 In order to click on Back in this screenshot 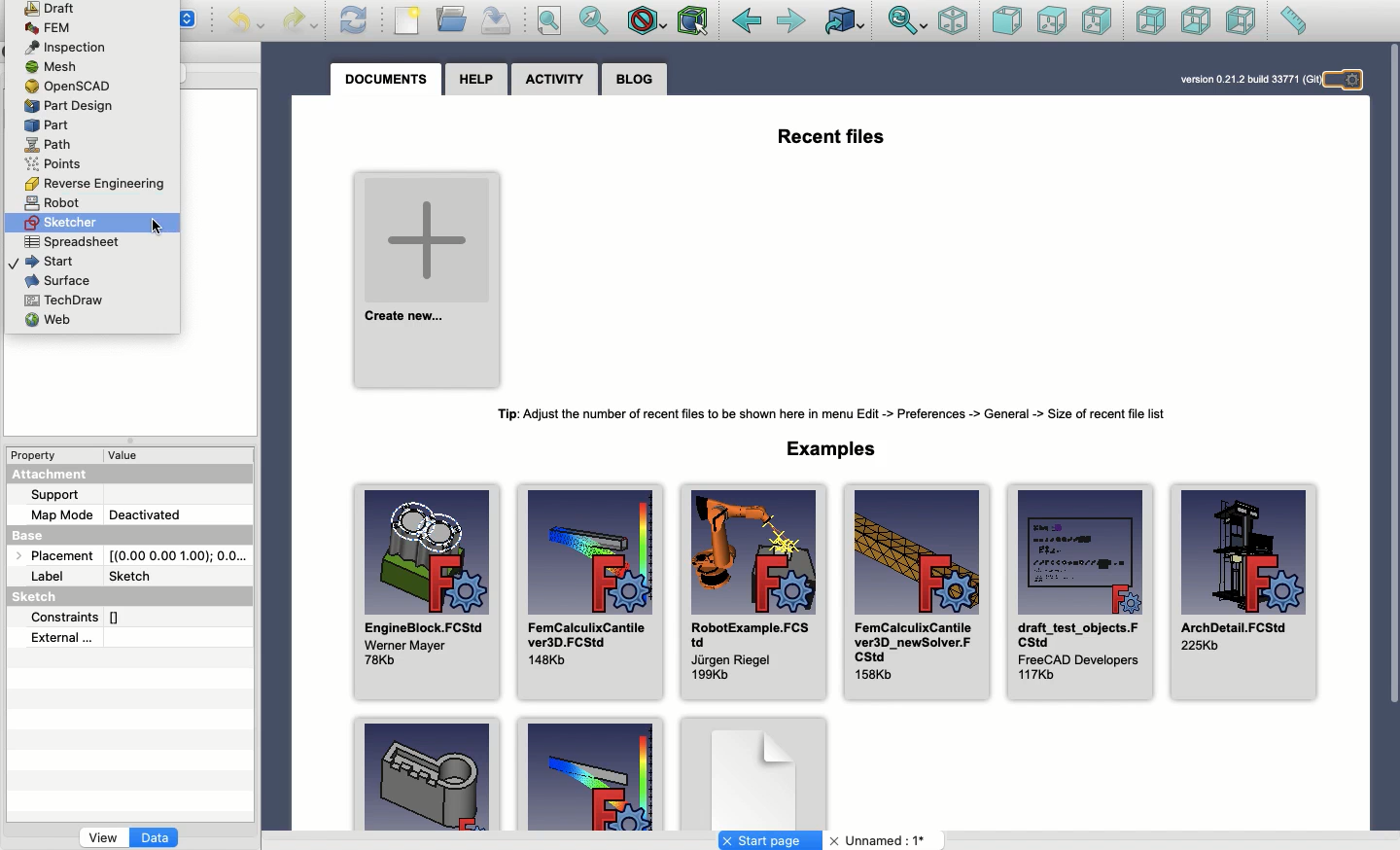, I will do `click(747, 21)`.